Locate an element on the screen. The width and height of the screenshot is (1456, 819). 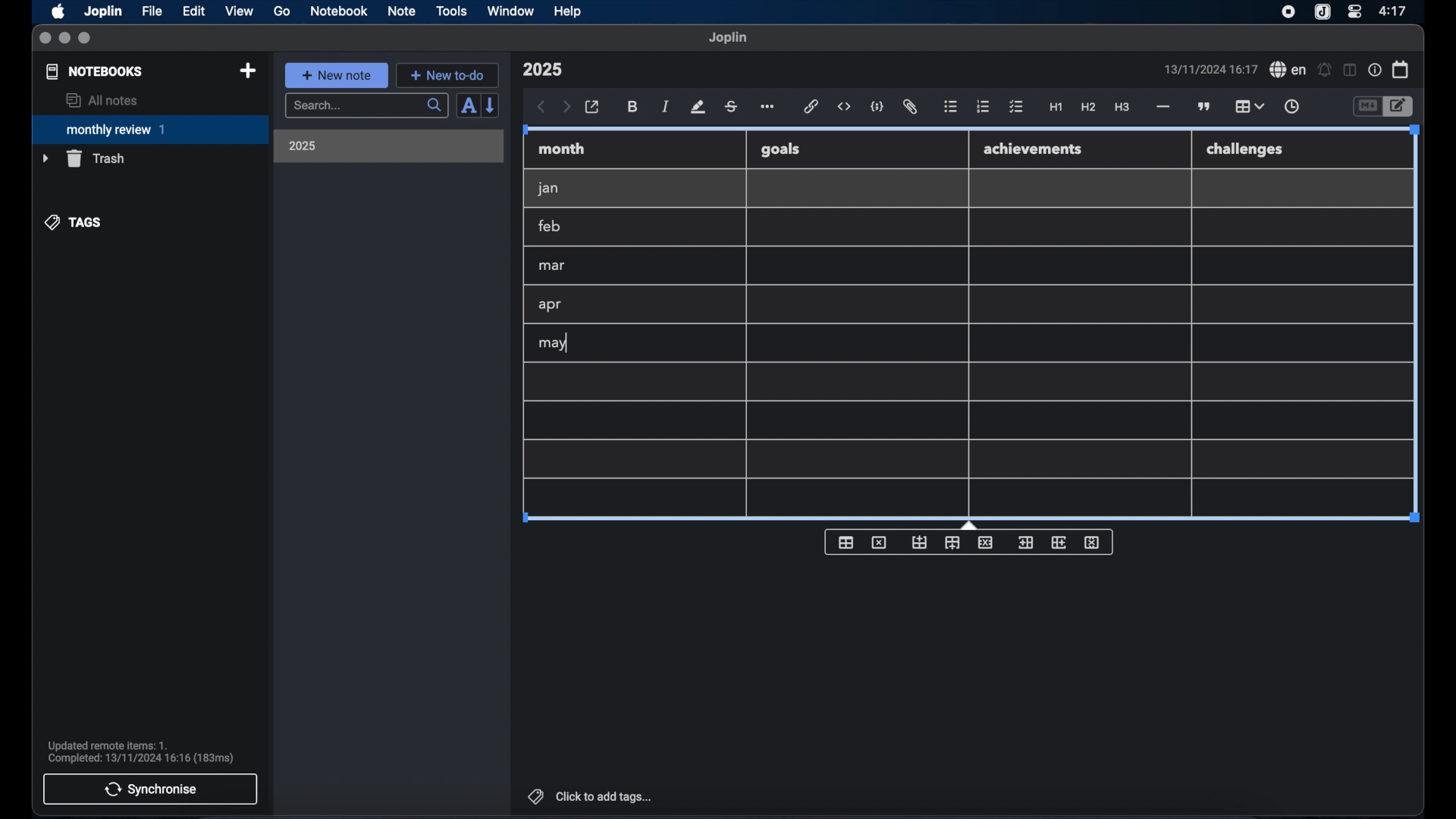
monthly review is located at coordinates (150, 128).